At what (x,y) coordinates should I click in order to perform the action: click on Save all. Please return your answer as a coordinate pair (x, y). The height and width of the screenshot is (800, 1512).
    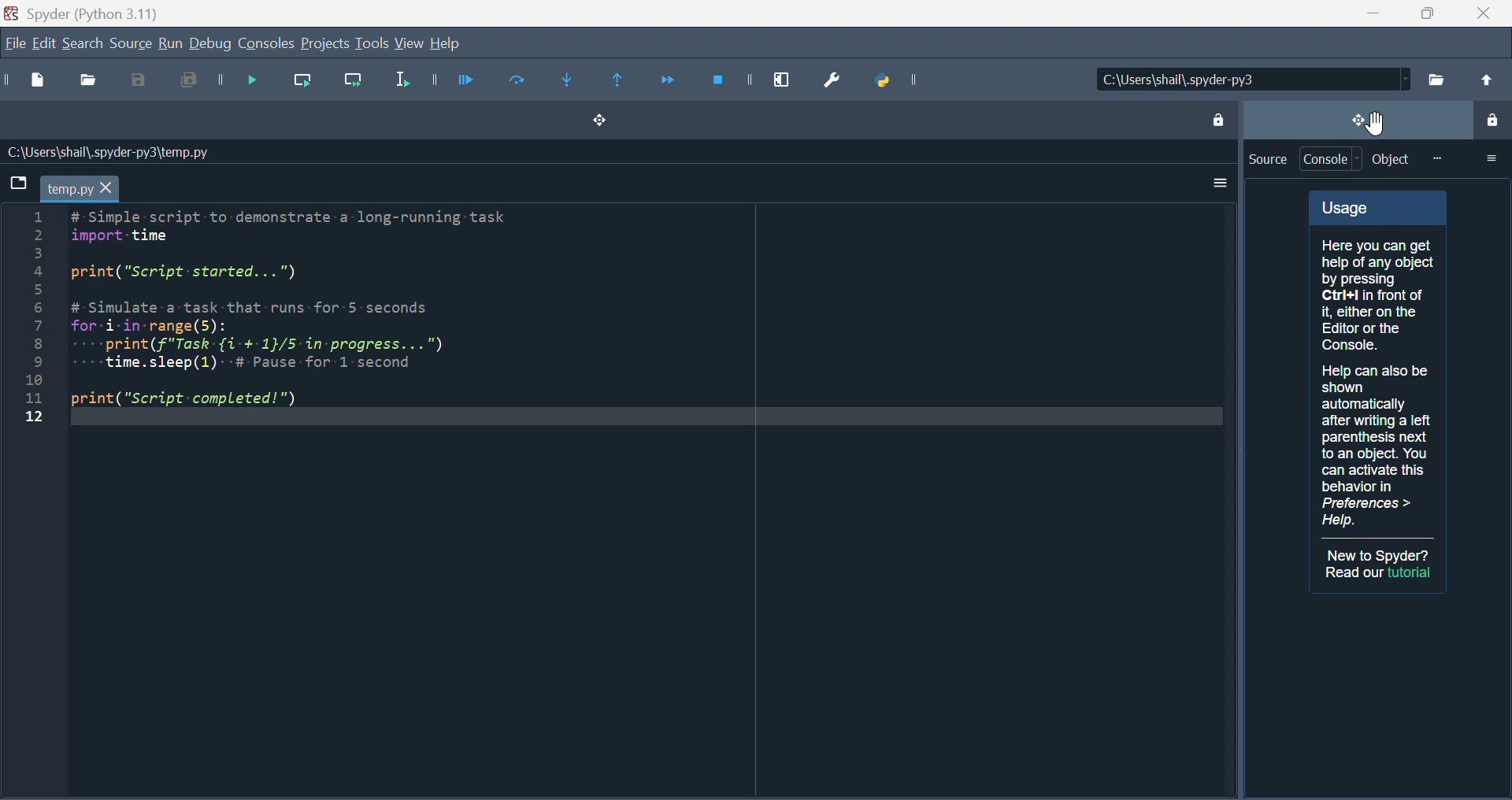
    Looking at the image, I should click on (183, 83).